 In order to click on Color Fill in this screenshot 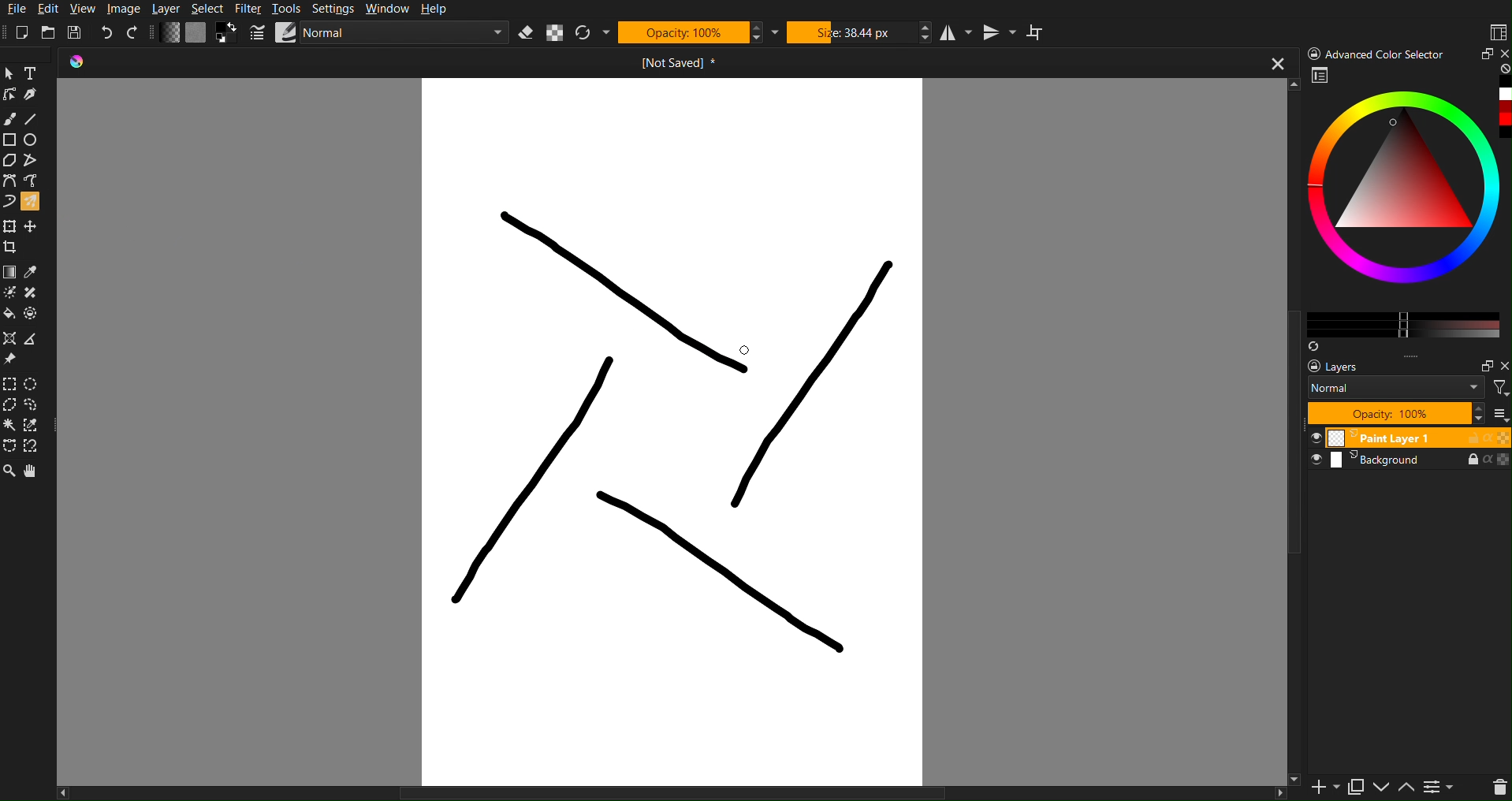, I will do `click(11, 317)`.